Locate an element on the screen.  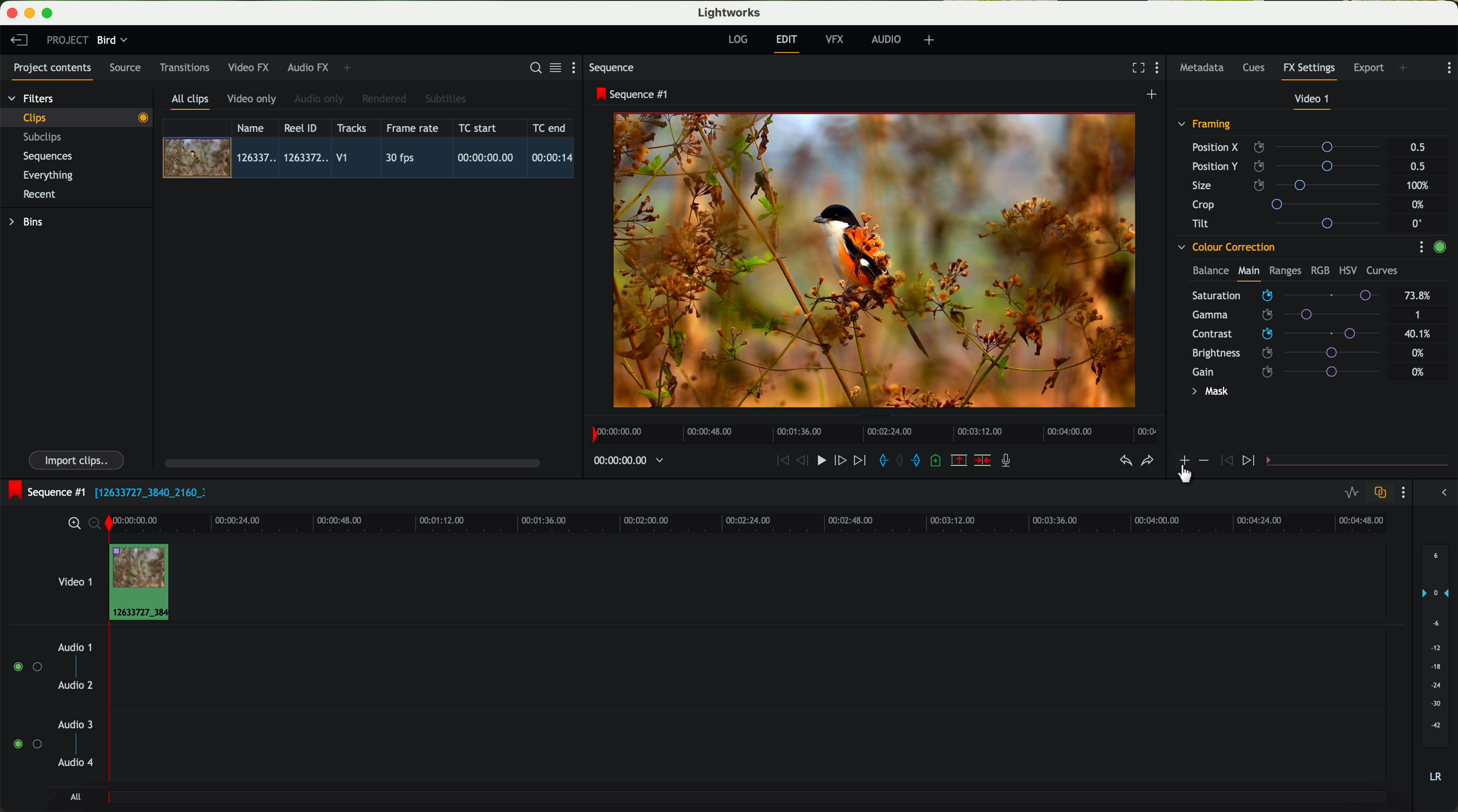
transitions is located at coordinates (184, 67).